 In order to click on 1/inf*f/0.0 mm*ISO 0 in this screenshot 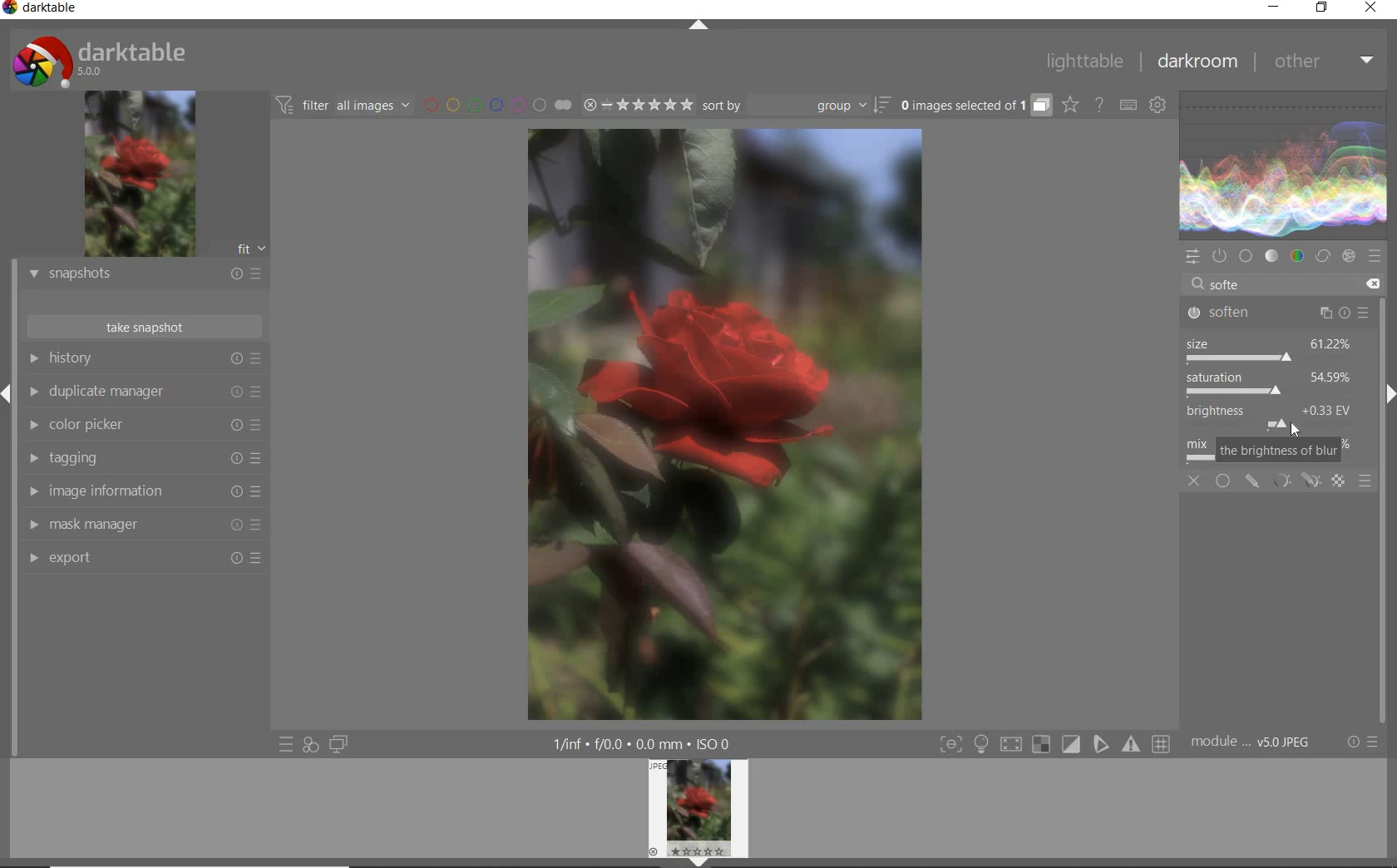, I will do `click(648, 743)`.